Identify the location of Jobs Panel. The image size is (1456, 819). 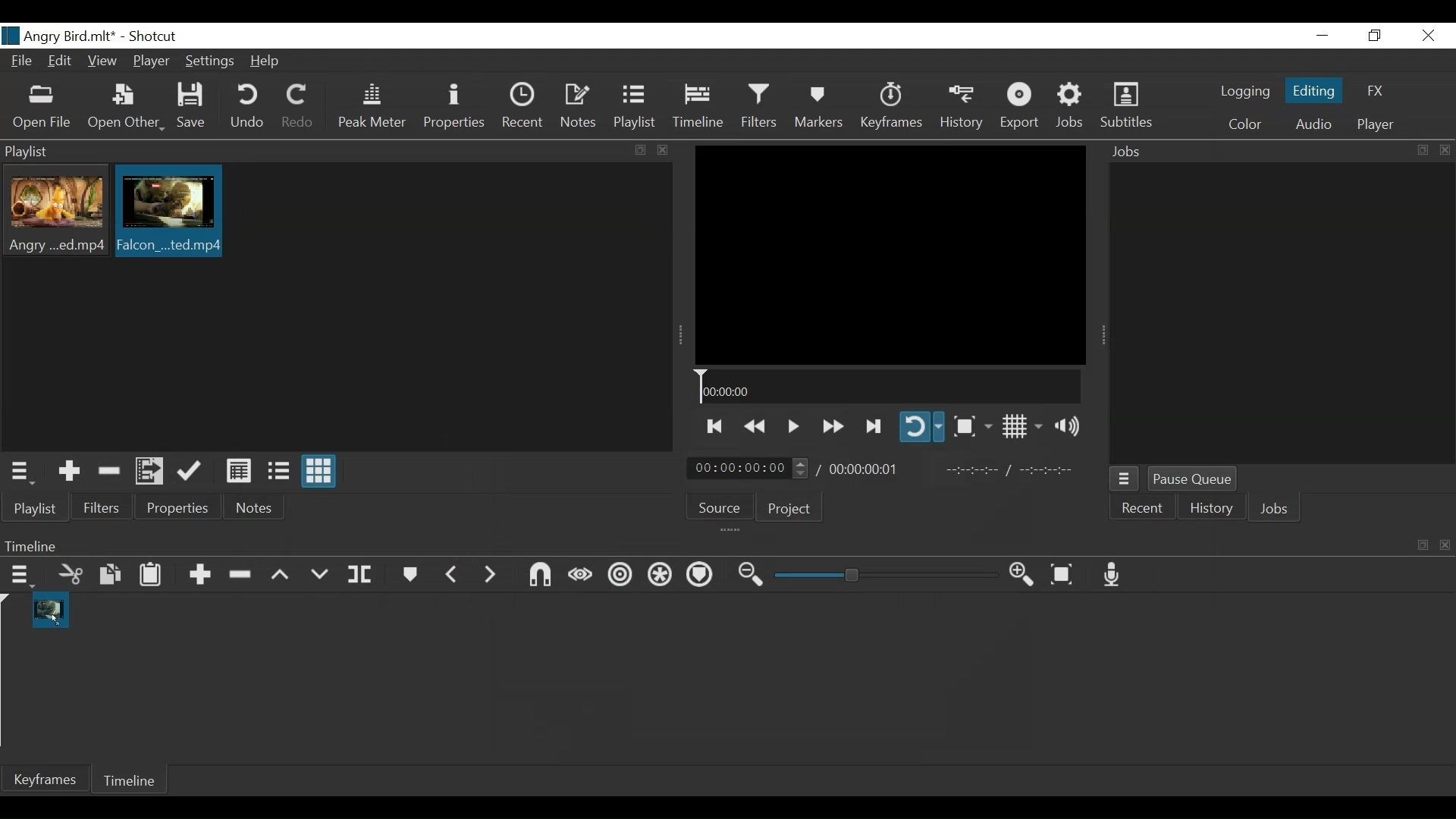
(1280, 314).